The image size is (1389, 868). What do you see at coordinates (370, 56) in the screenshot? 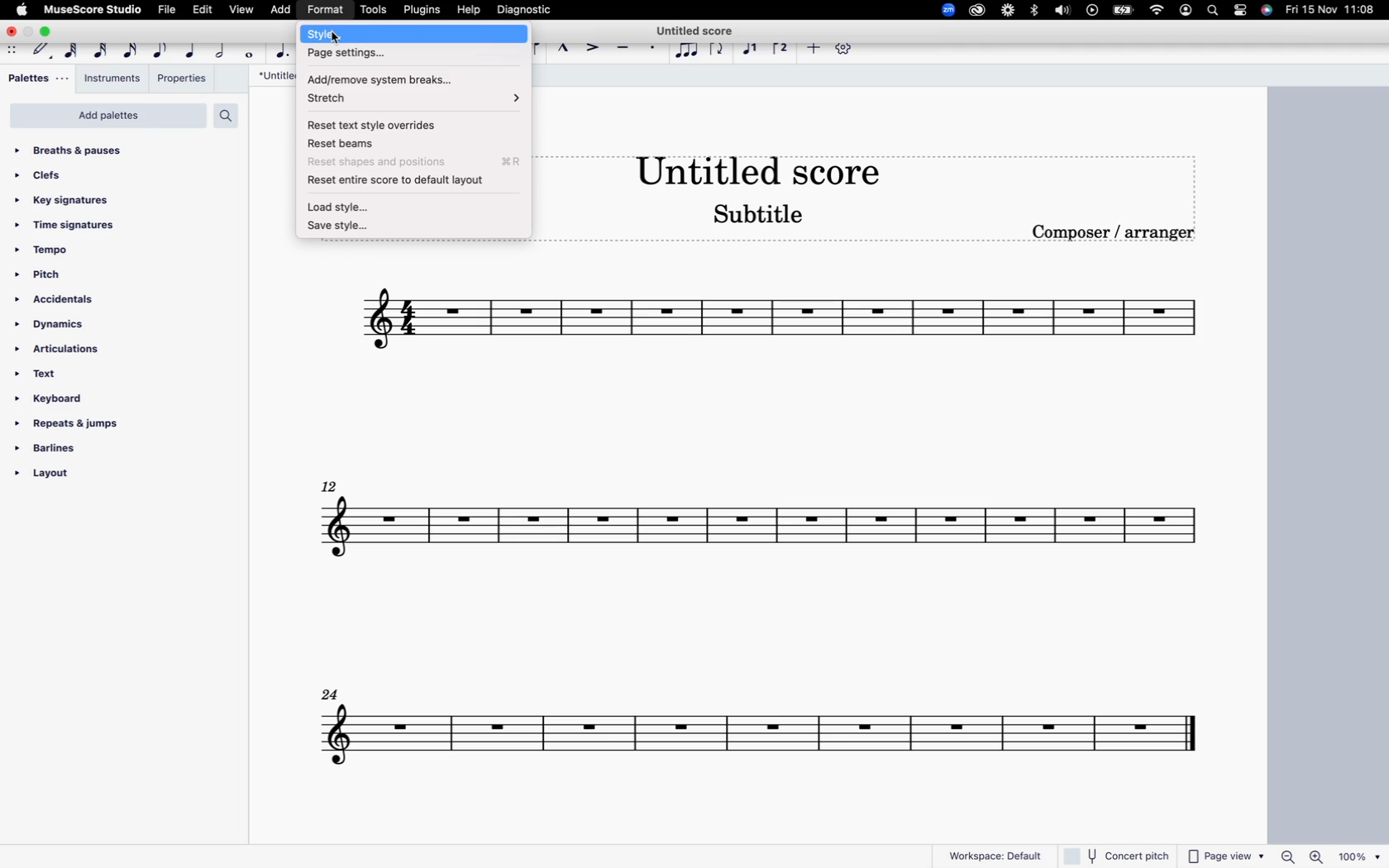
I see `page settings` at bounding box center [370, 56].